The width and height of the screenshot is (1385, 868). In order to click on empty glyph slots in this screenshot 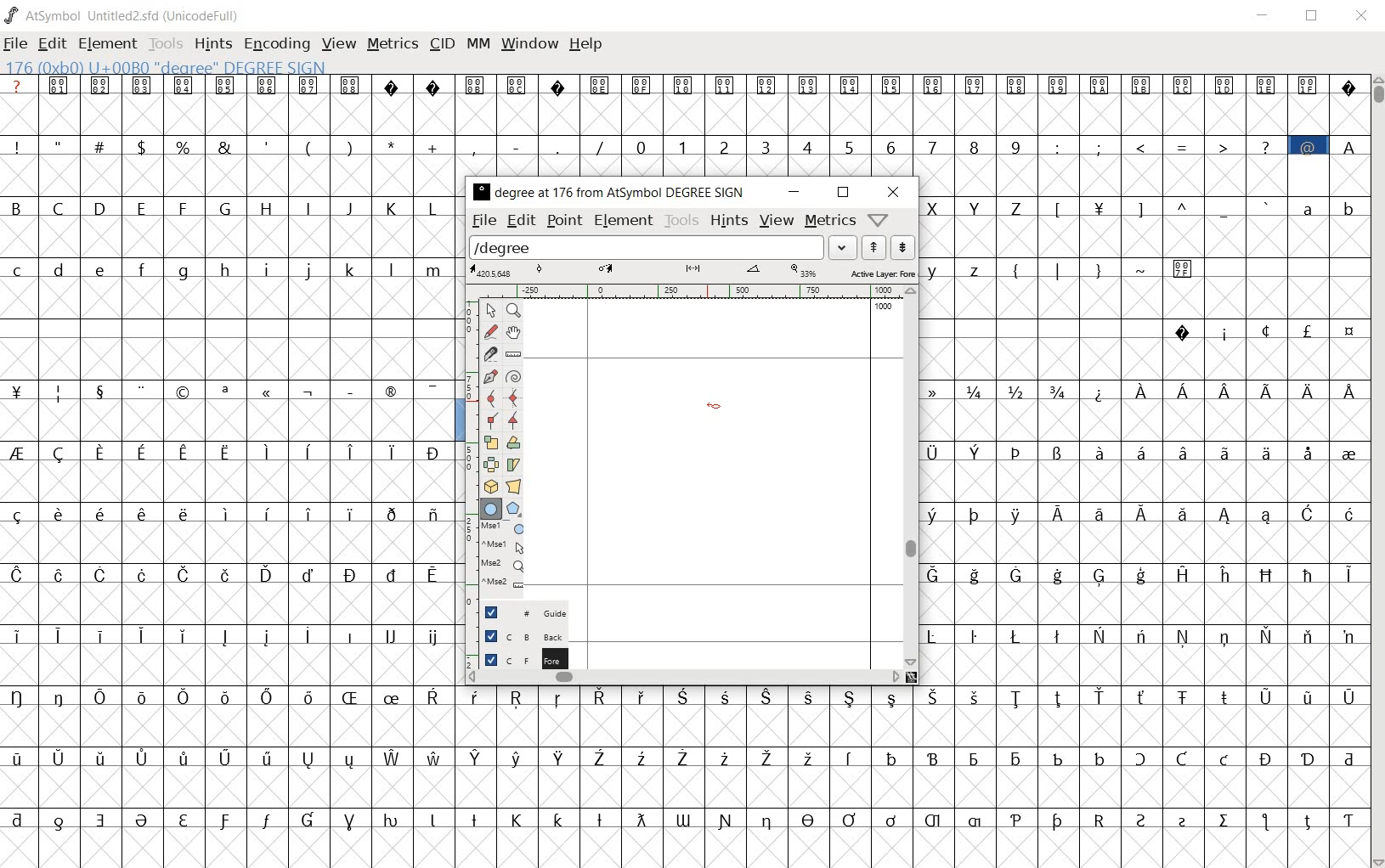, I will do `click(1146, 174)`.